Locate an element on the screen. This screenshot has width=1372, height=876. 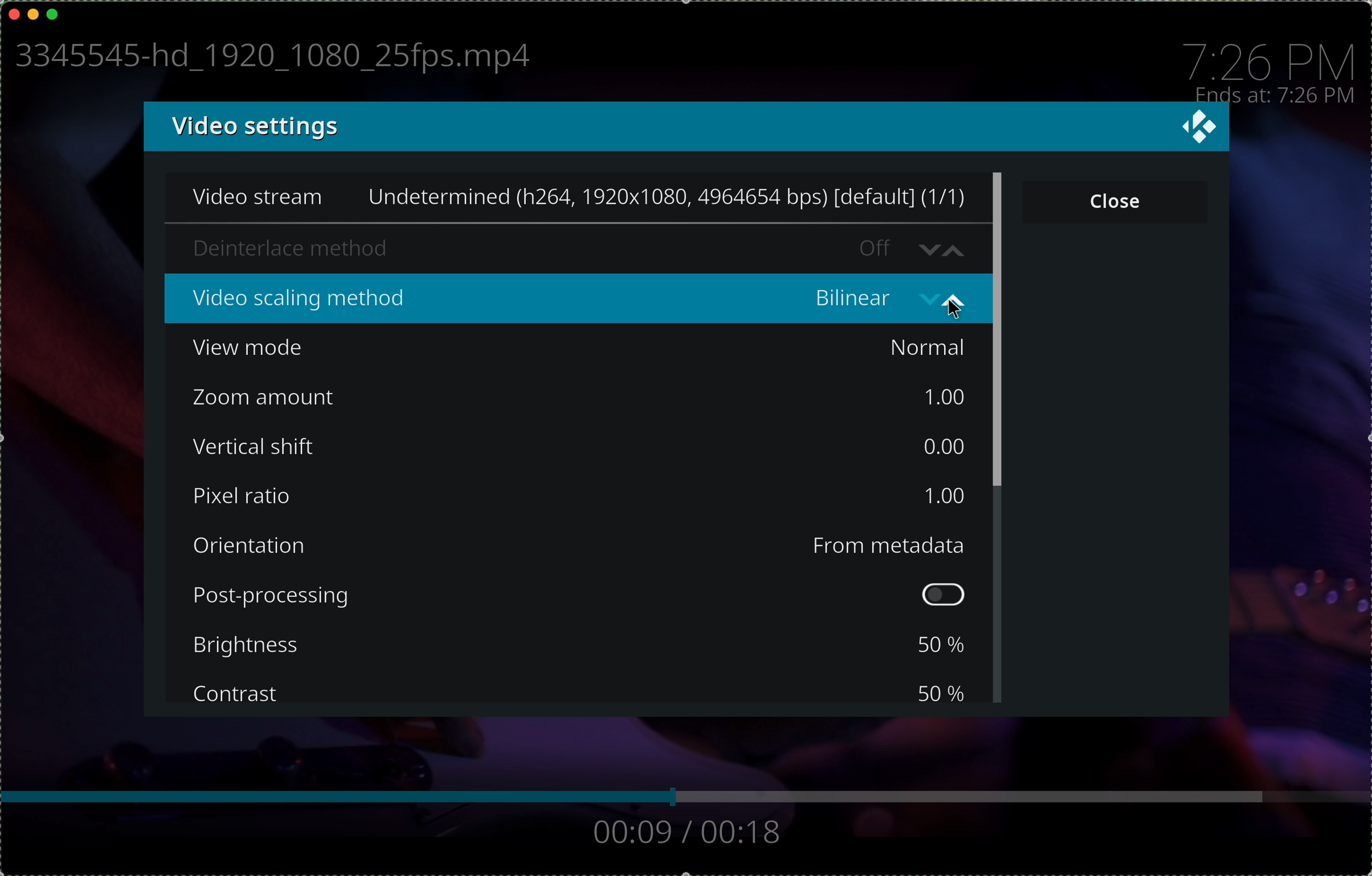
maximise is located at coordinates (54, 14).